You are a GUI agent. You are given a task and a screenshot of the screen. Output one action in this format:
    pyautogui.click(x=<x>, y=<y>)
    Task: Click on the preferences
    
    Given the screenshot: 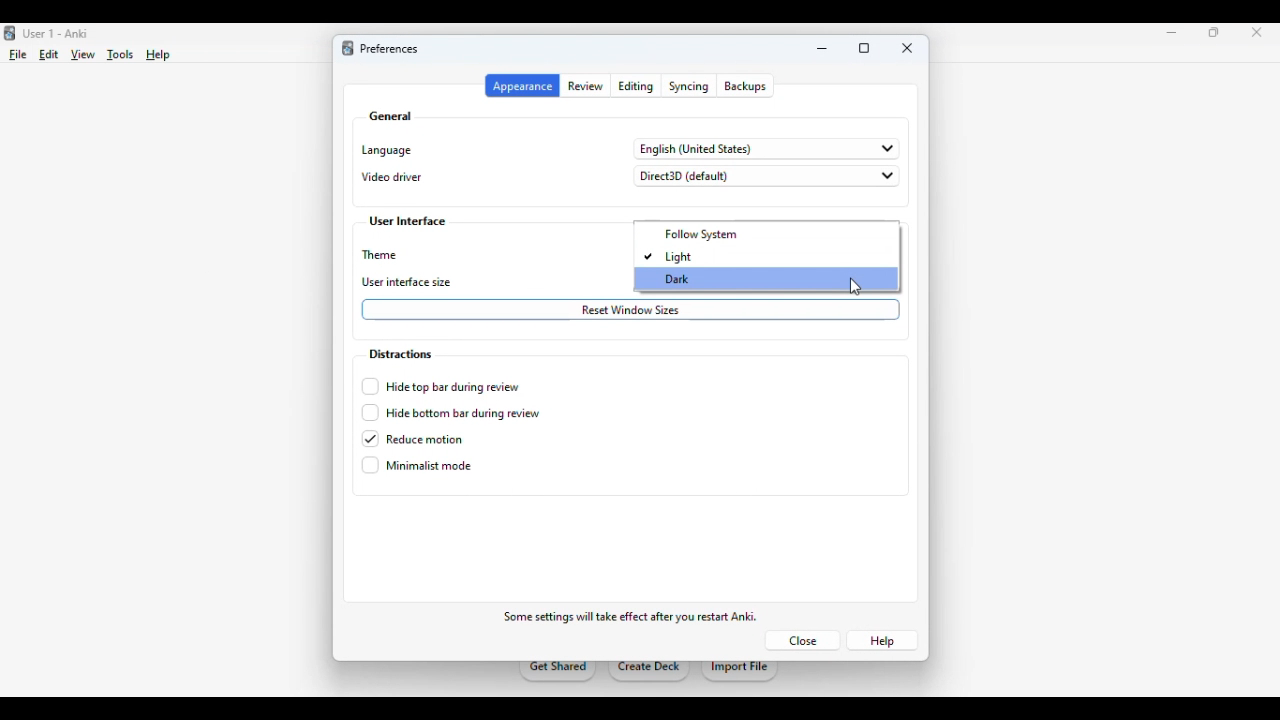 What is the action you would take?
    pyautogui.click(x=388, y=49)
    